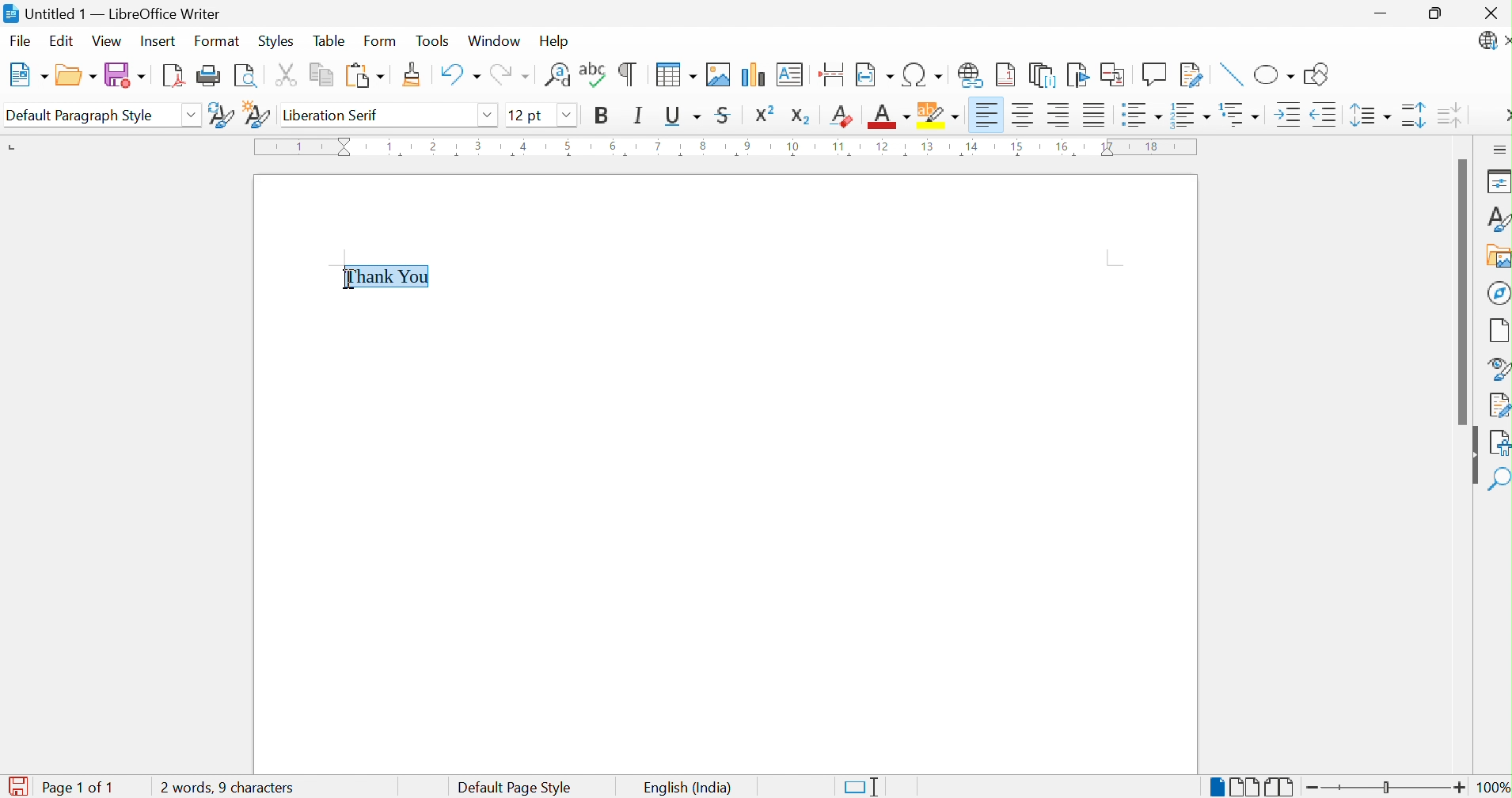  I want to click on Accessibility Check, so click(1499, 444).